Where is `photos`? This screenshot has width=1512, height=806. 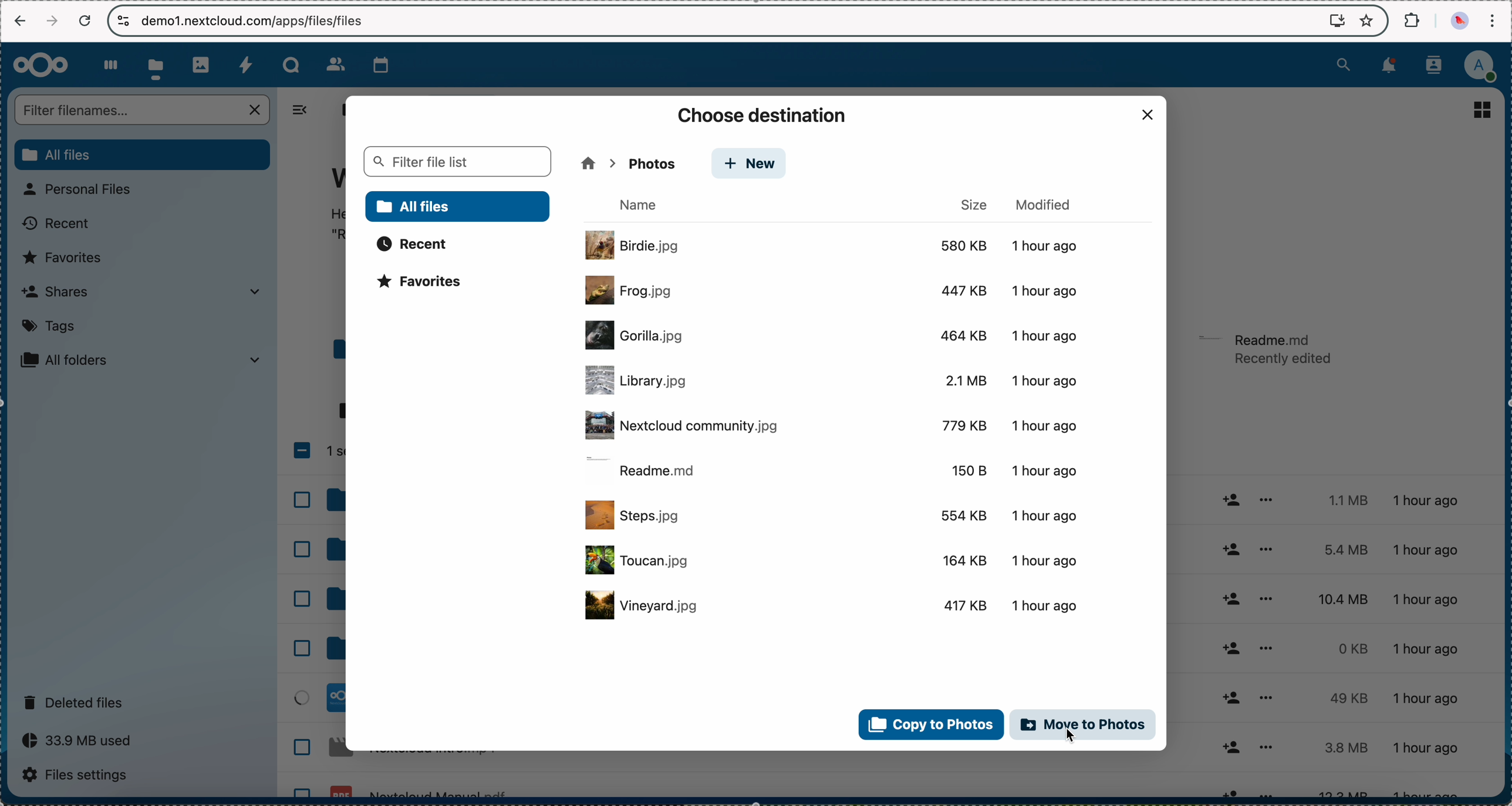
photos is located at coordinates (202, 63).